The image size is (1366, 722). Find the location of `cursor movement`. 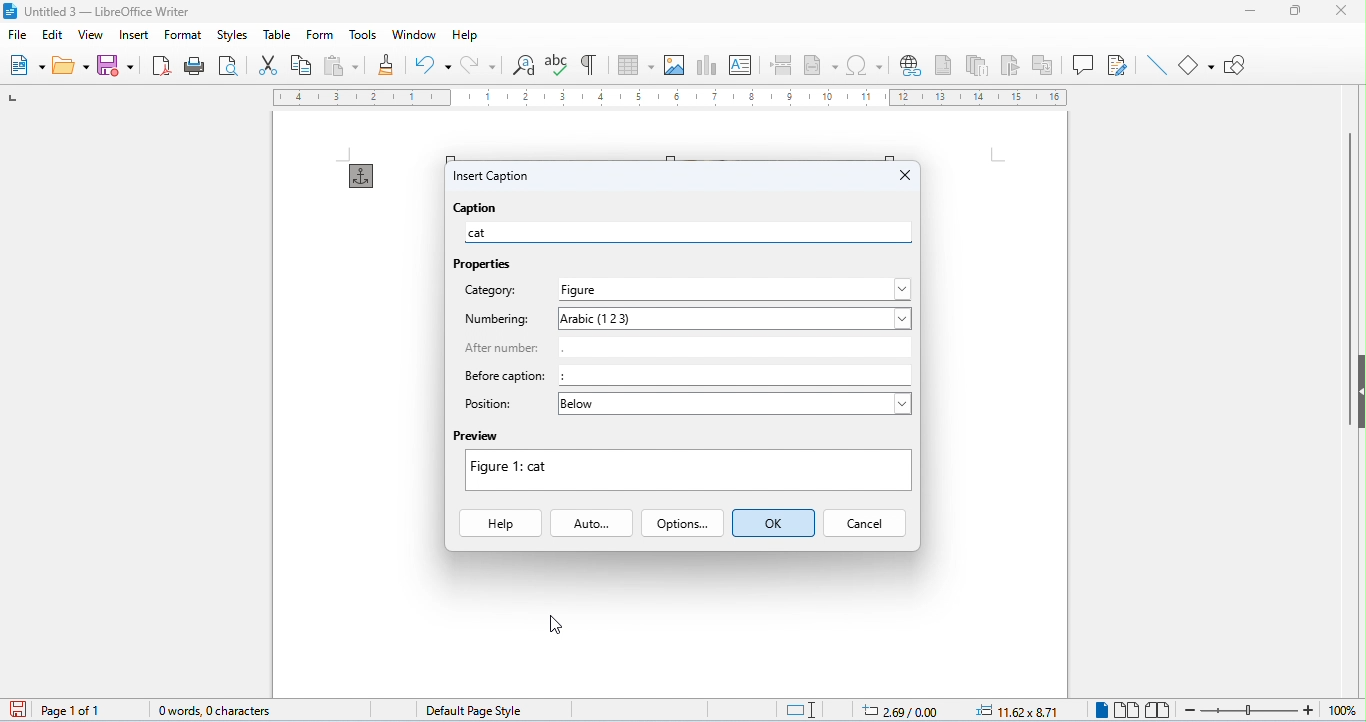

cursor movement is located at coordinates (555, 625).